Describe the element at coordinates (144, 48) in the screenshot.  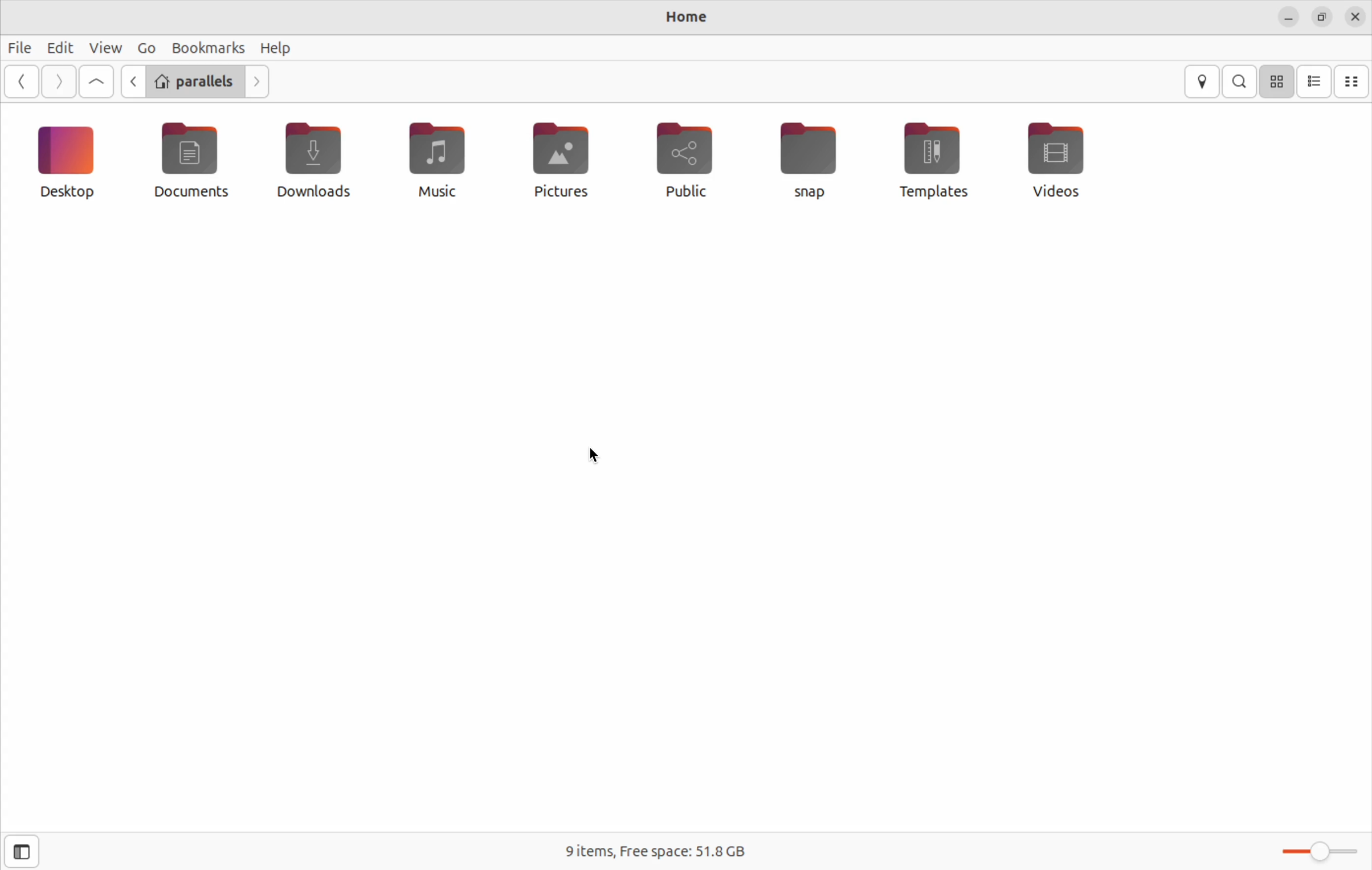
I see `go` at that location.